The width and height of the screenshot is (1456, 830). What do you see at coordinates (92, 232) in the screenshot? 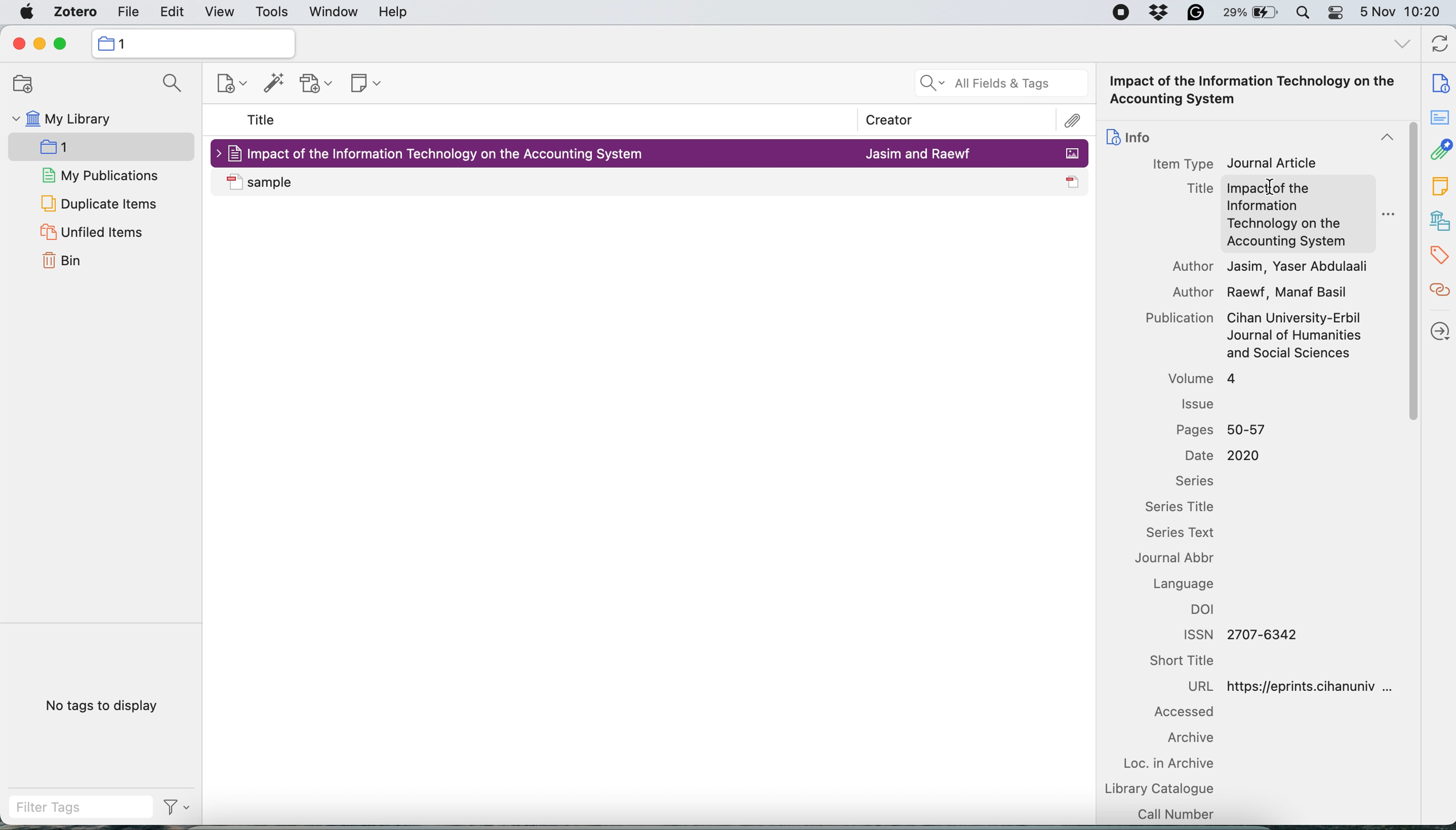
I see `unfiled items` at bounding box center [92, 232].